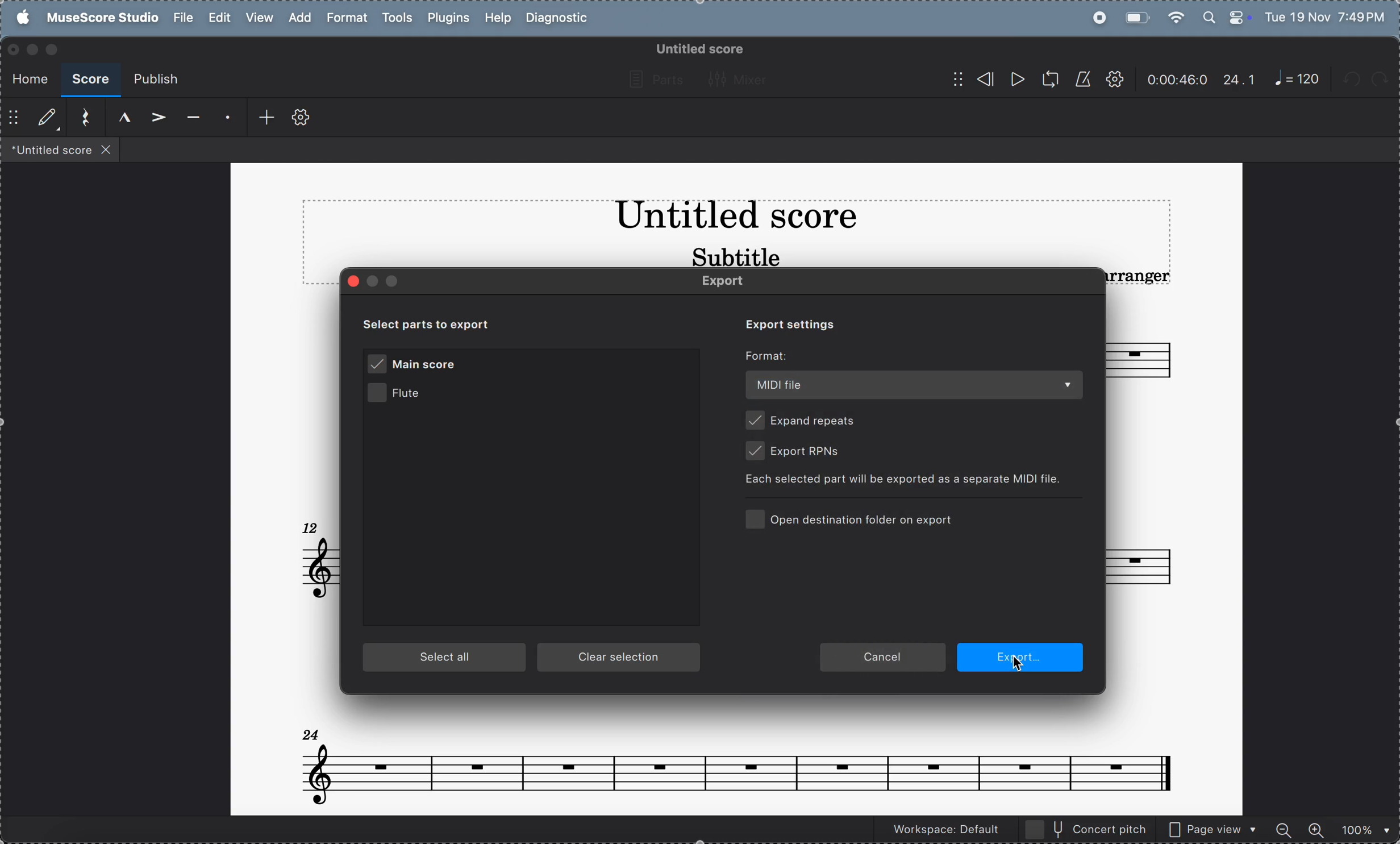 The width and height of the screenshot is (1400, 844). I want to click on close, so click(355, 281).